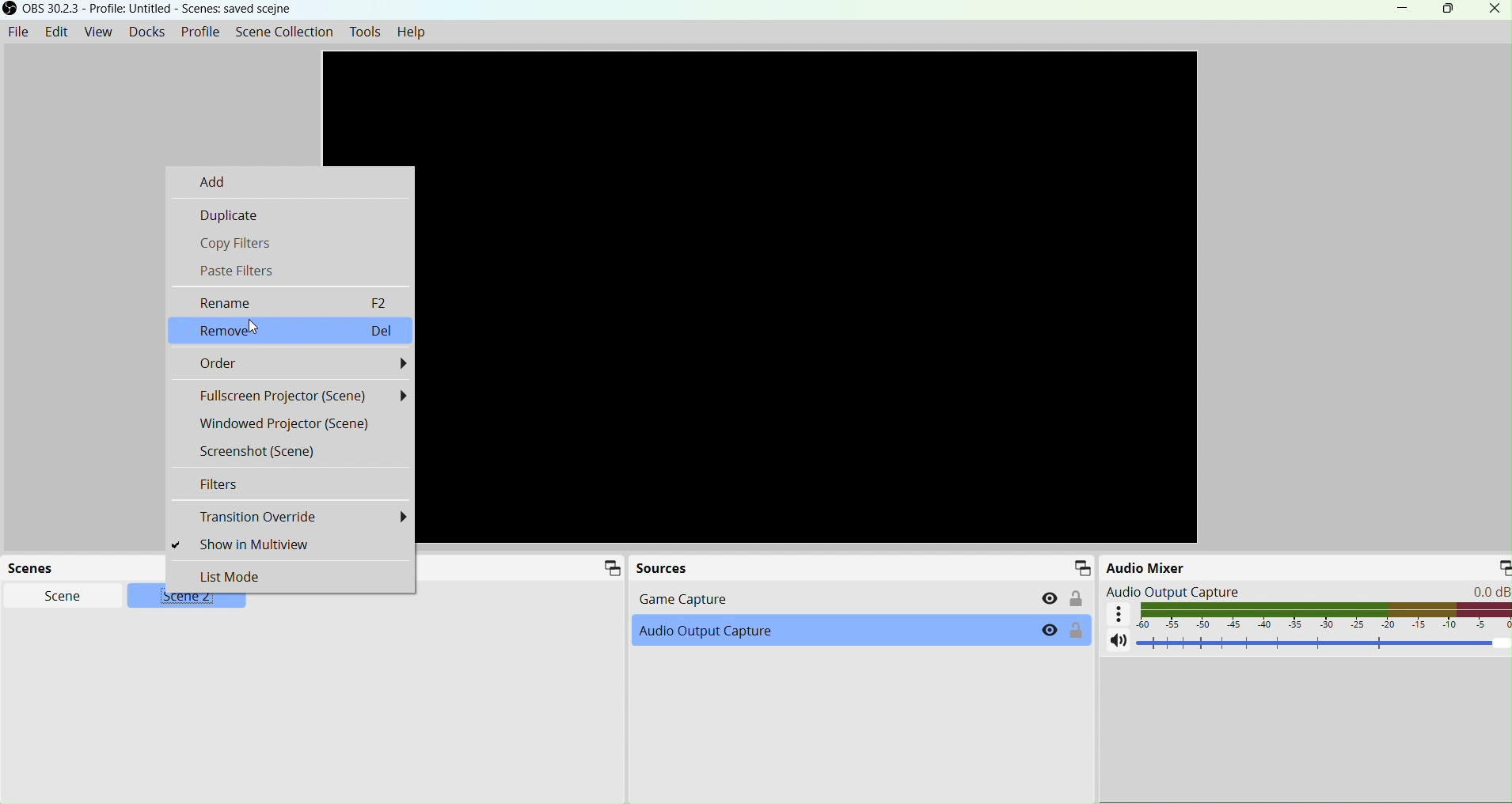  What do you see at coordinates (821, 598) in the screenshot?
I see `Game Capture` at bounding box center [821, 598].